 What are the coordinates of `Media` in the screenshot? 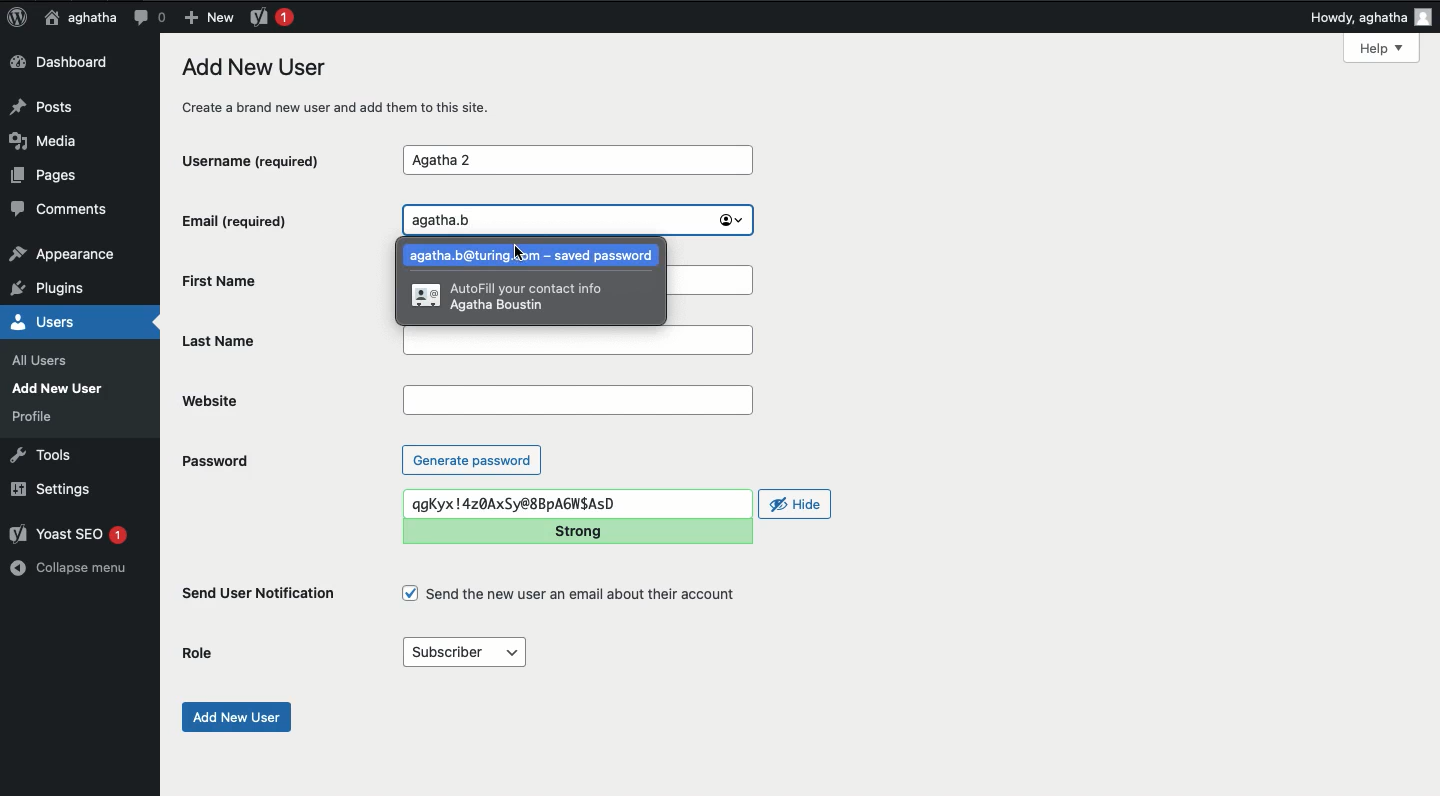 It's located at (50, 141).